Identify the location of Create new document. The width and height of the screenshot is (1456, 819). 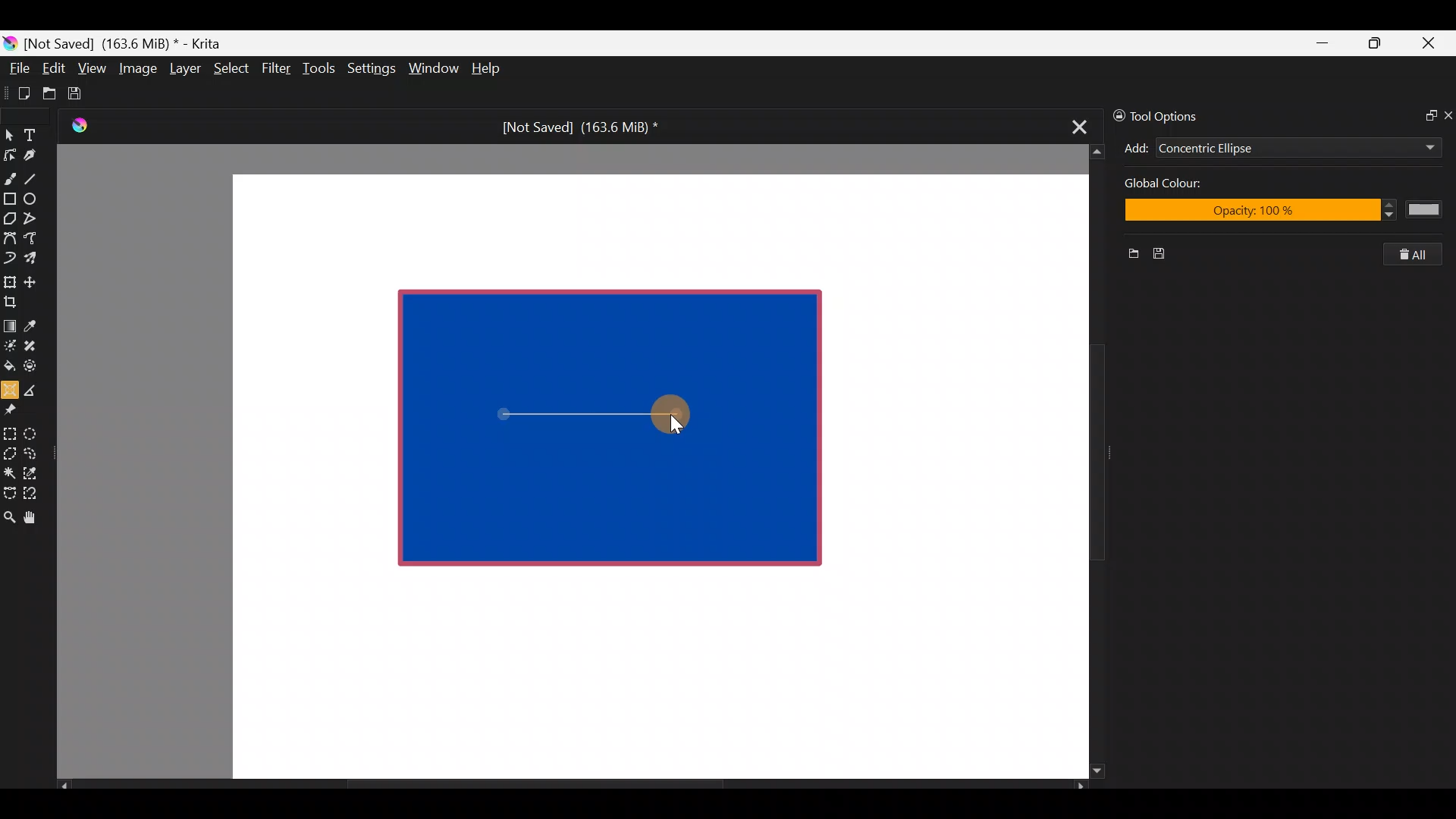
(19, 93).